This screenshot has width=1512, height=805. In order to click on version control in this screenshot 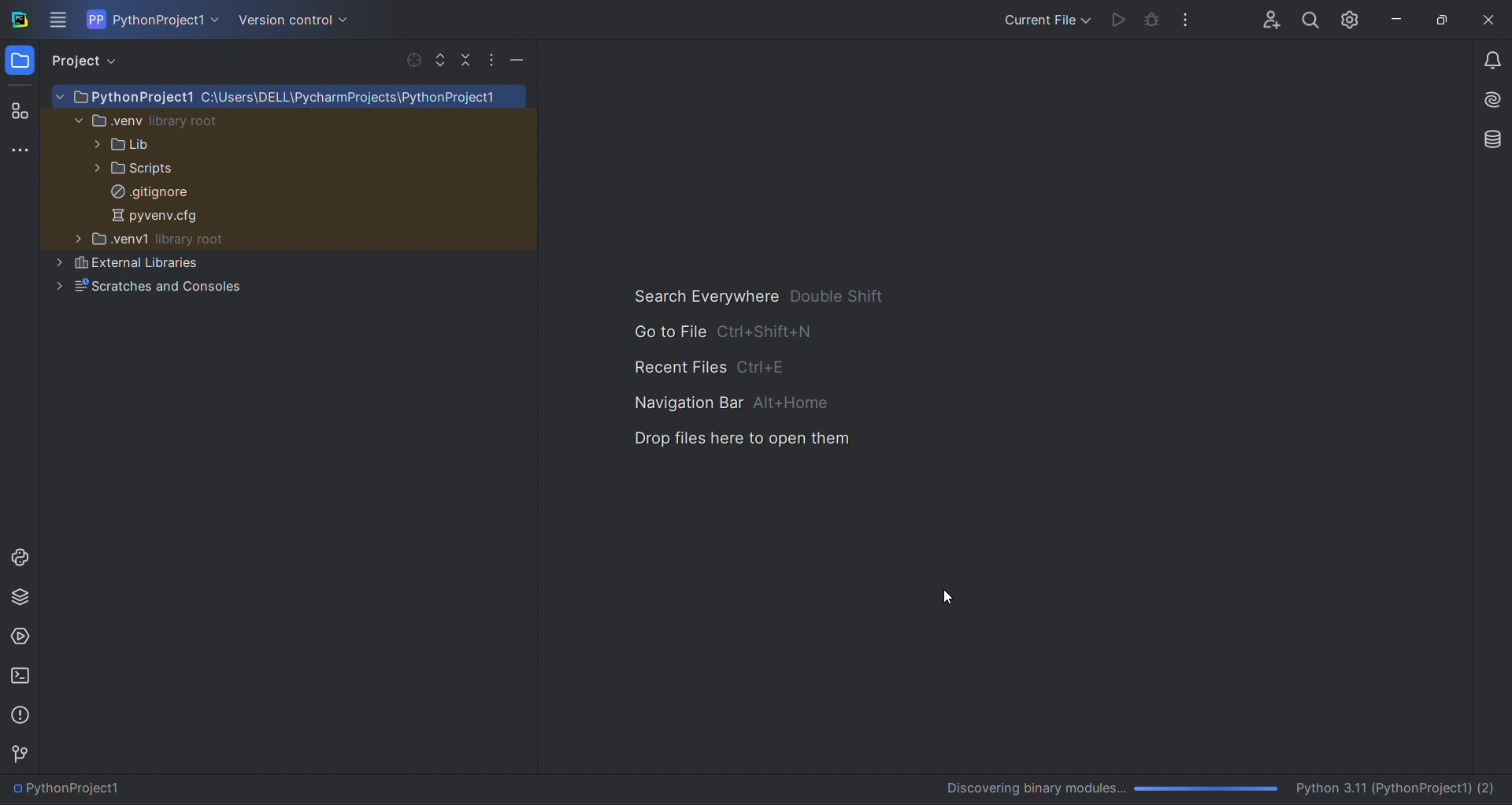, I will do `click(22, 754)`.